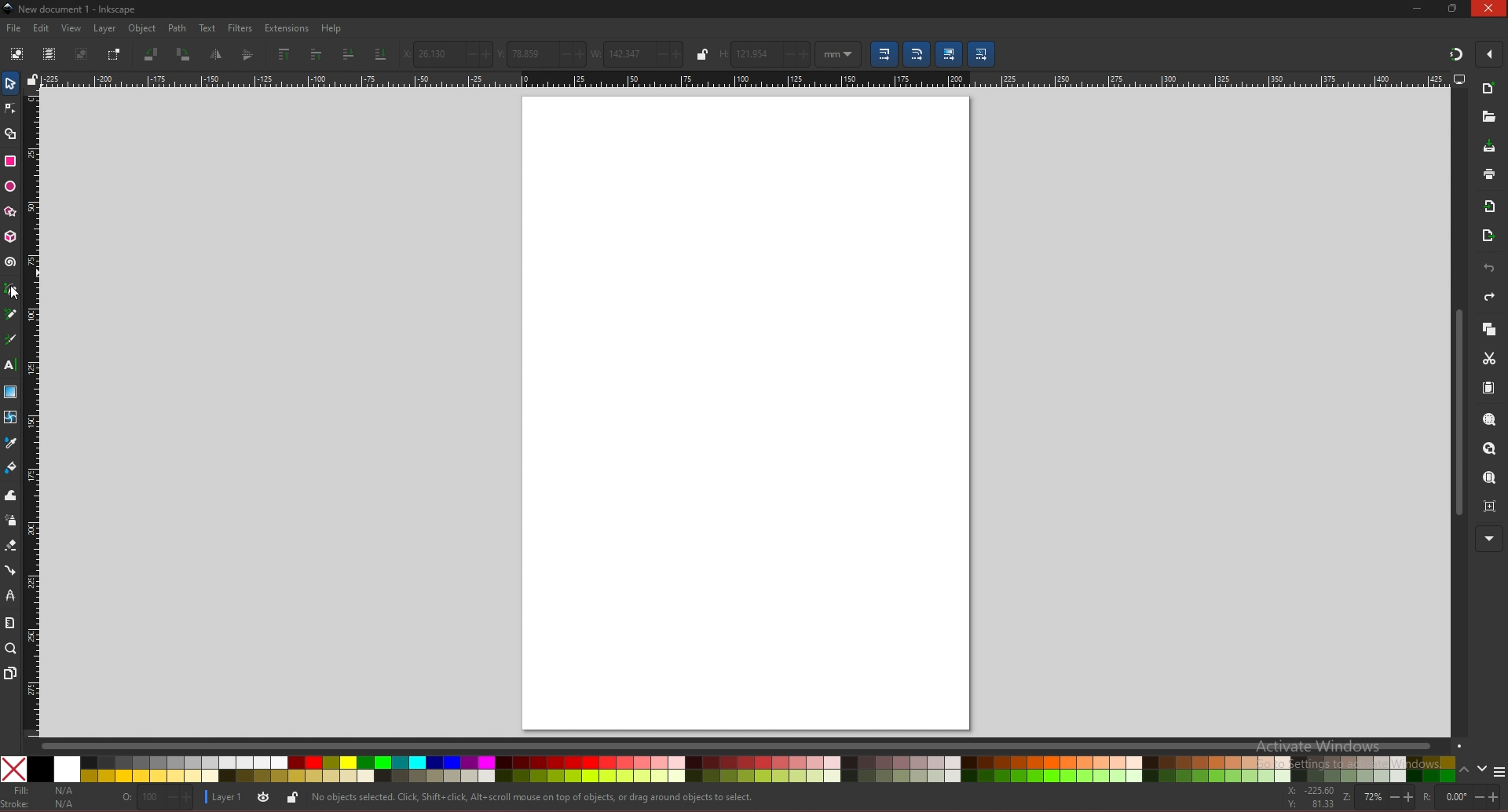 The height and width of the screenshot is (812, 1508). I want to click on height, so click(765, 53).